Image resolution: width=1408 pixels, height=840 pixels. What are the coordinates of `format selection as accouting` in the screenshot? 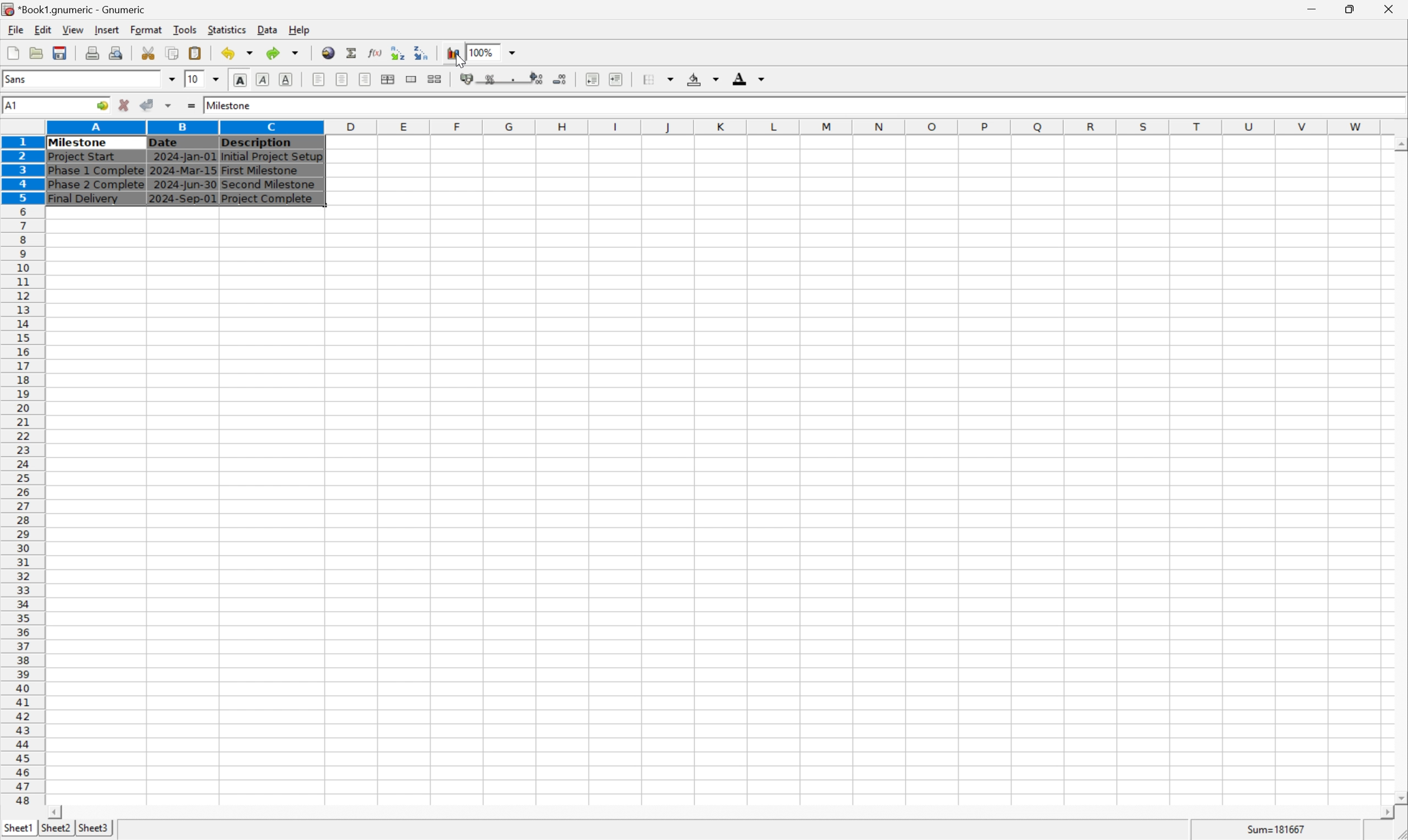 It's located at (468, 79).